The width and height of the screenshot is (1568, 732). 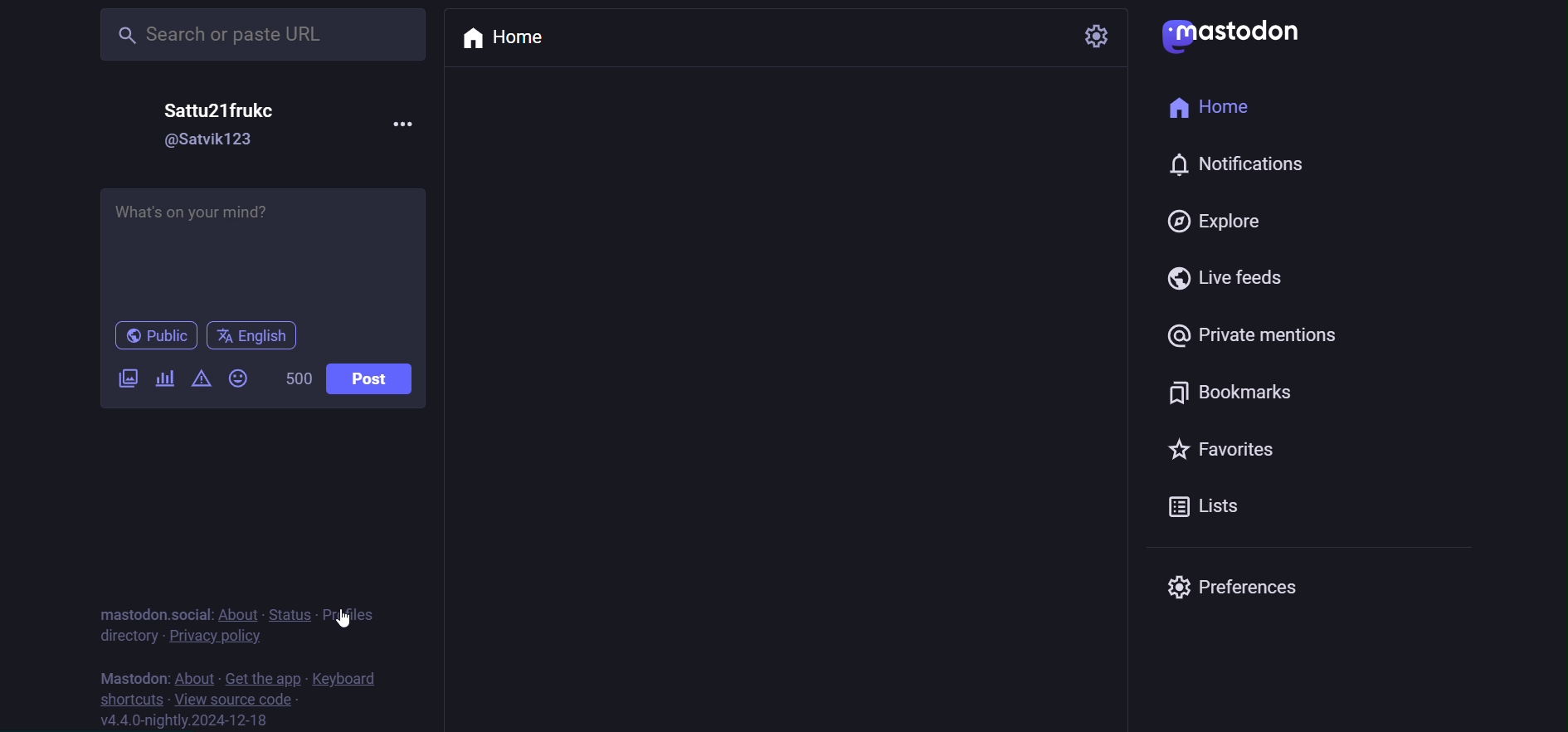 What do you see at coordinates (509, 37) in the screenshot?
I see `home` at bounding box center [509, 37].